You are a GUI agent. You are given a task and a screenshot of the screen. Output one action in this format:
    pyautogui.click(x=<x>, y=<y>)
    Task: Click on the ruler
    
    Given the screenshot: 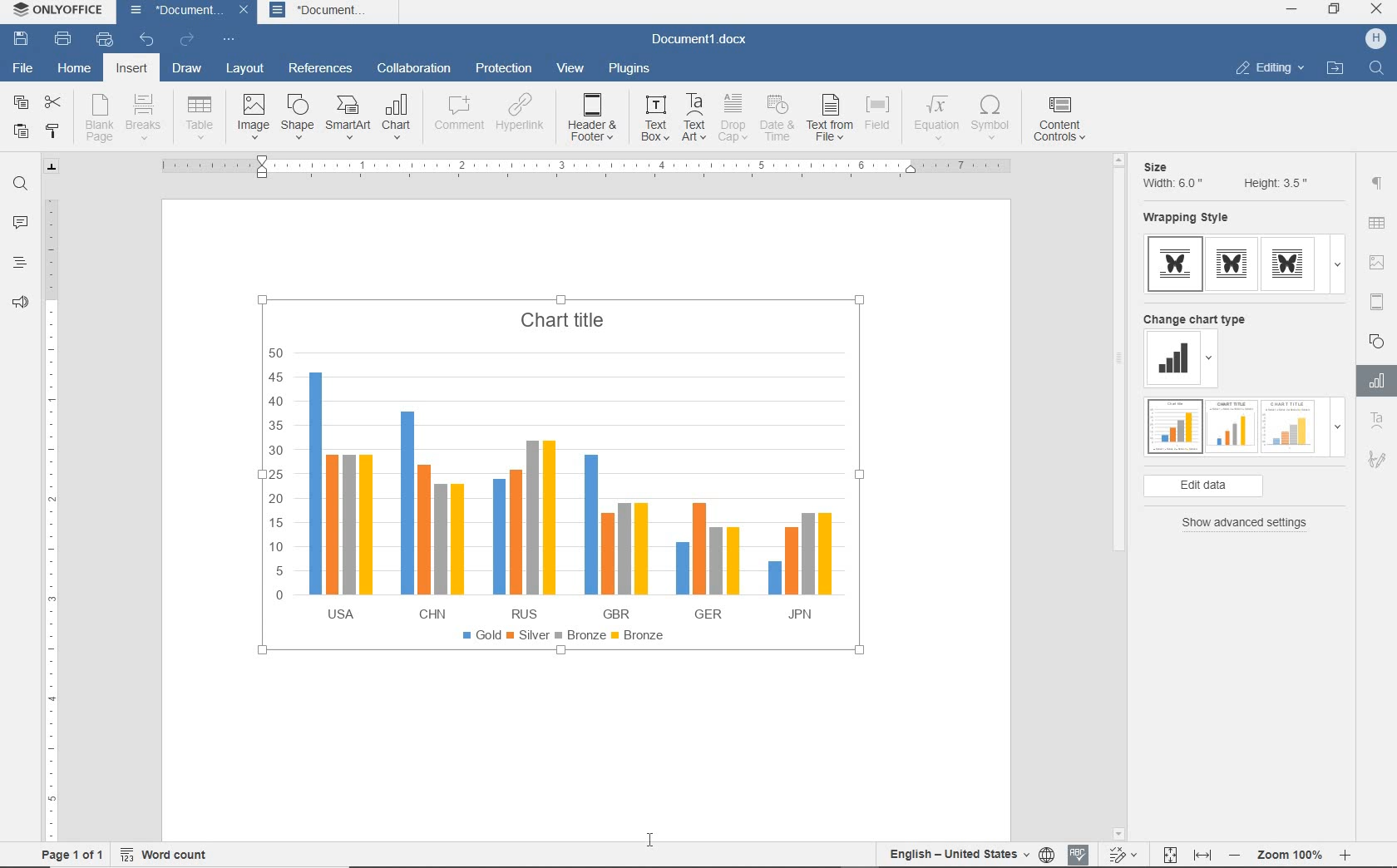 What is the action you would take?
    pyautogui.click(x=51, y=513)
    